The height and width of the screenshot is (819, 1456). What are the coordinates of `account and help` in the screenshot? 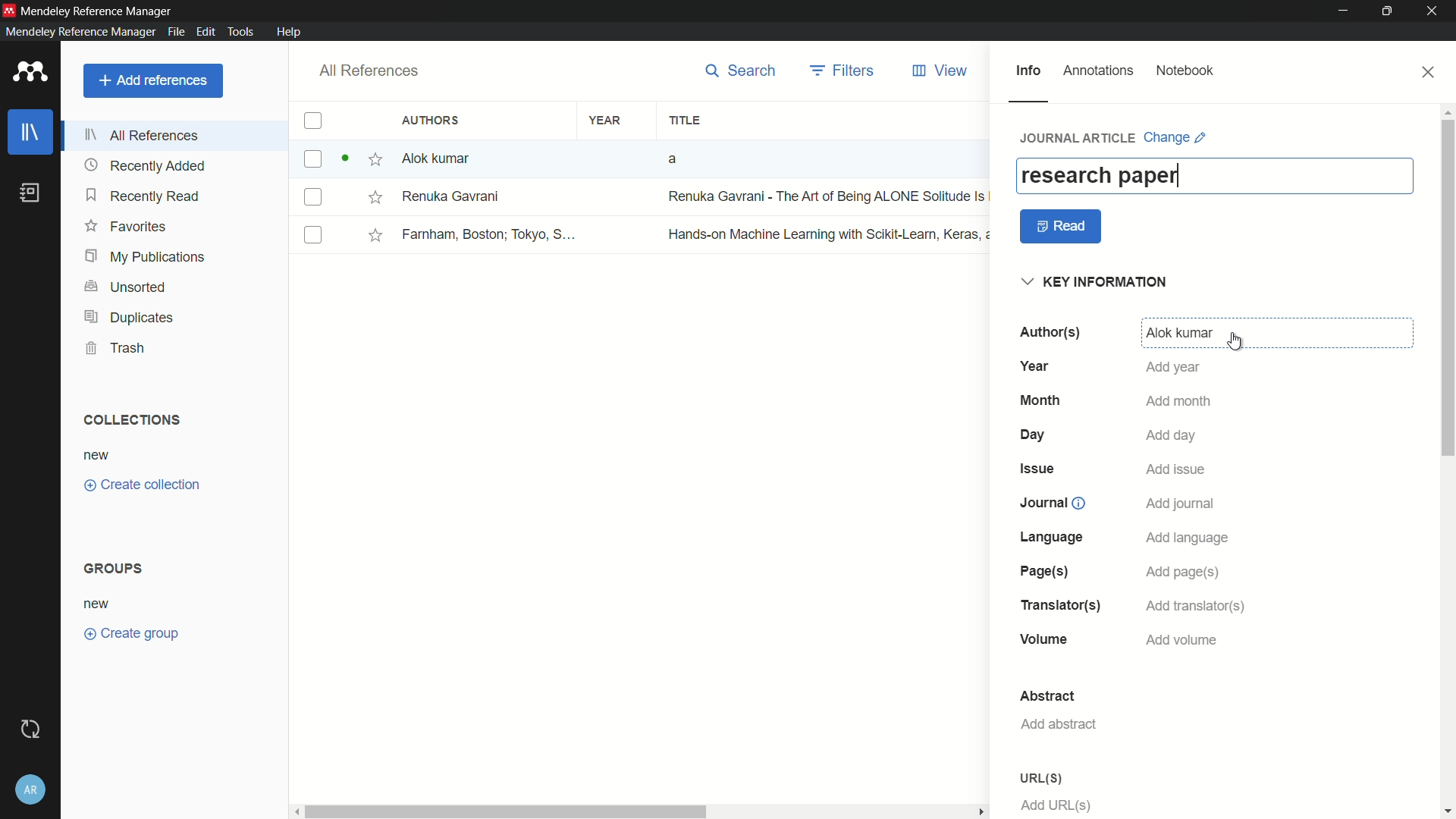 It's located at (33, 789).